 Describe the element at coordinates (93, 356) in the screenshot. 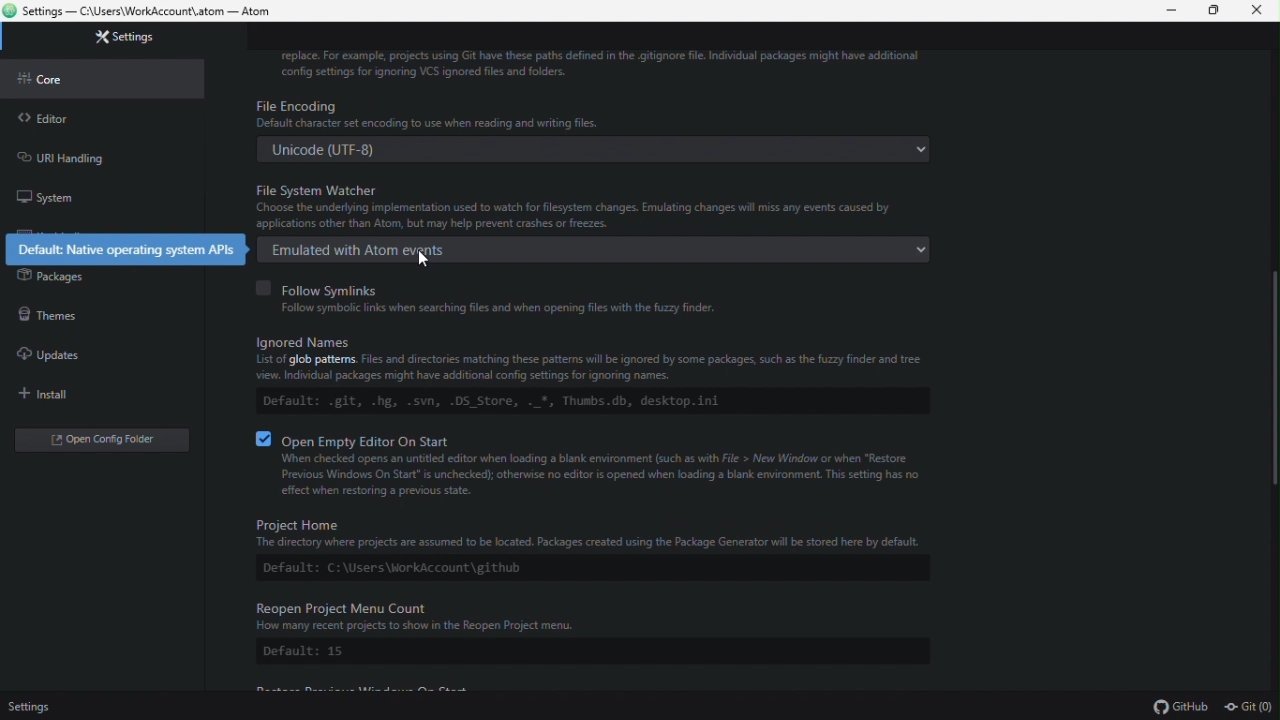

I see `updates` at that location.